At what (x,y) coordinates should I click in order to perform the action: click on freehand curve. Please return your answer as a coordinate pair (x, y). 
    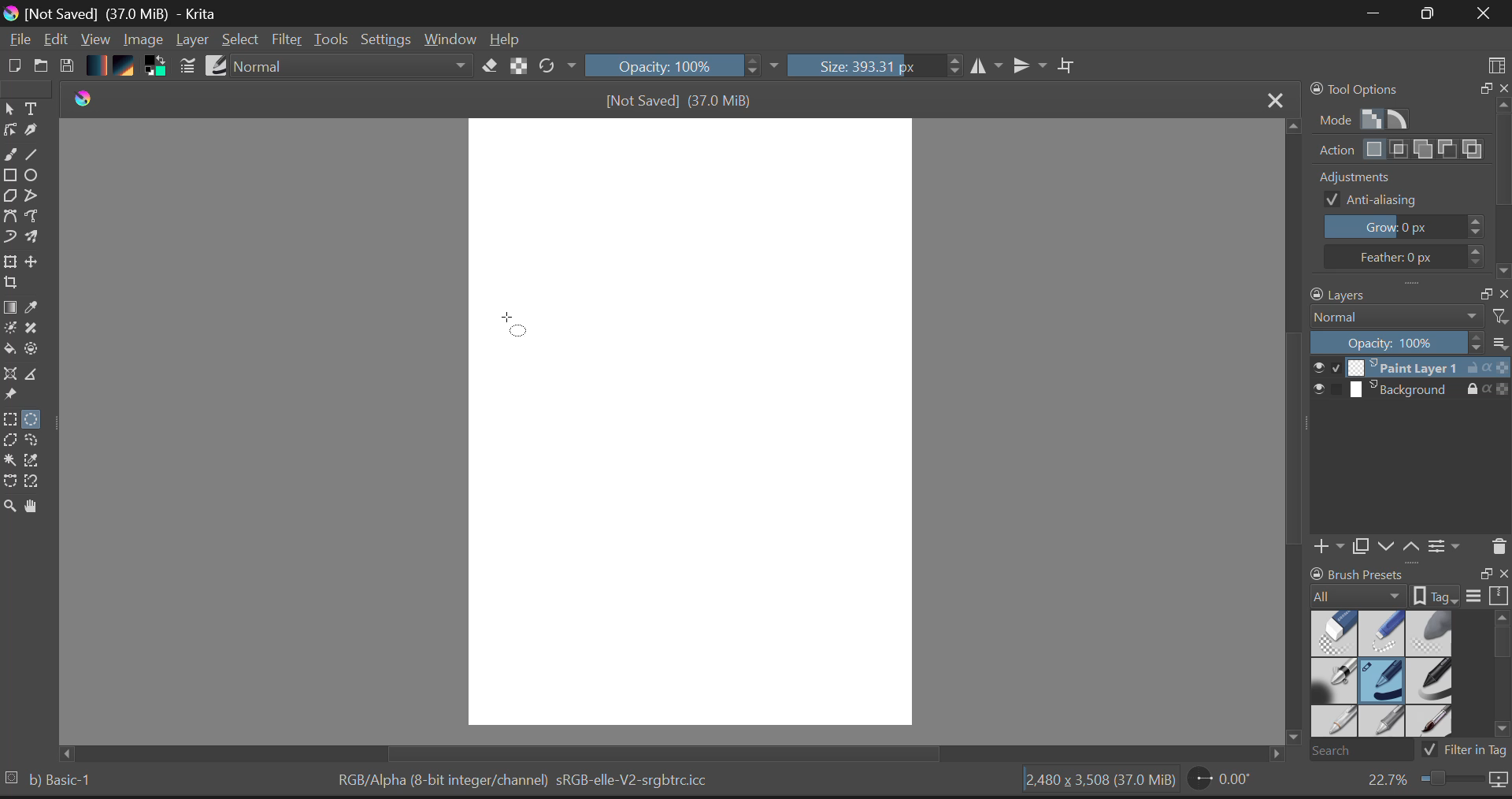
    Looking at the image, I should click on (13, 156).